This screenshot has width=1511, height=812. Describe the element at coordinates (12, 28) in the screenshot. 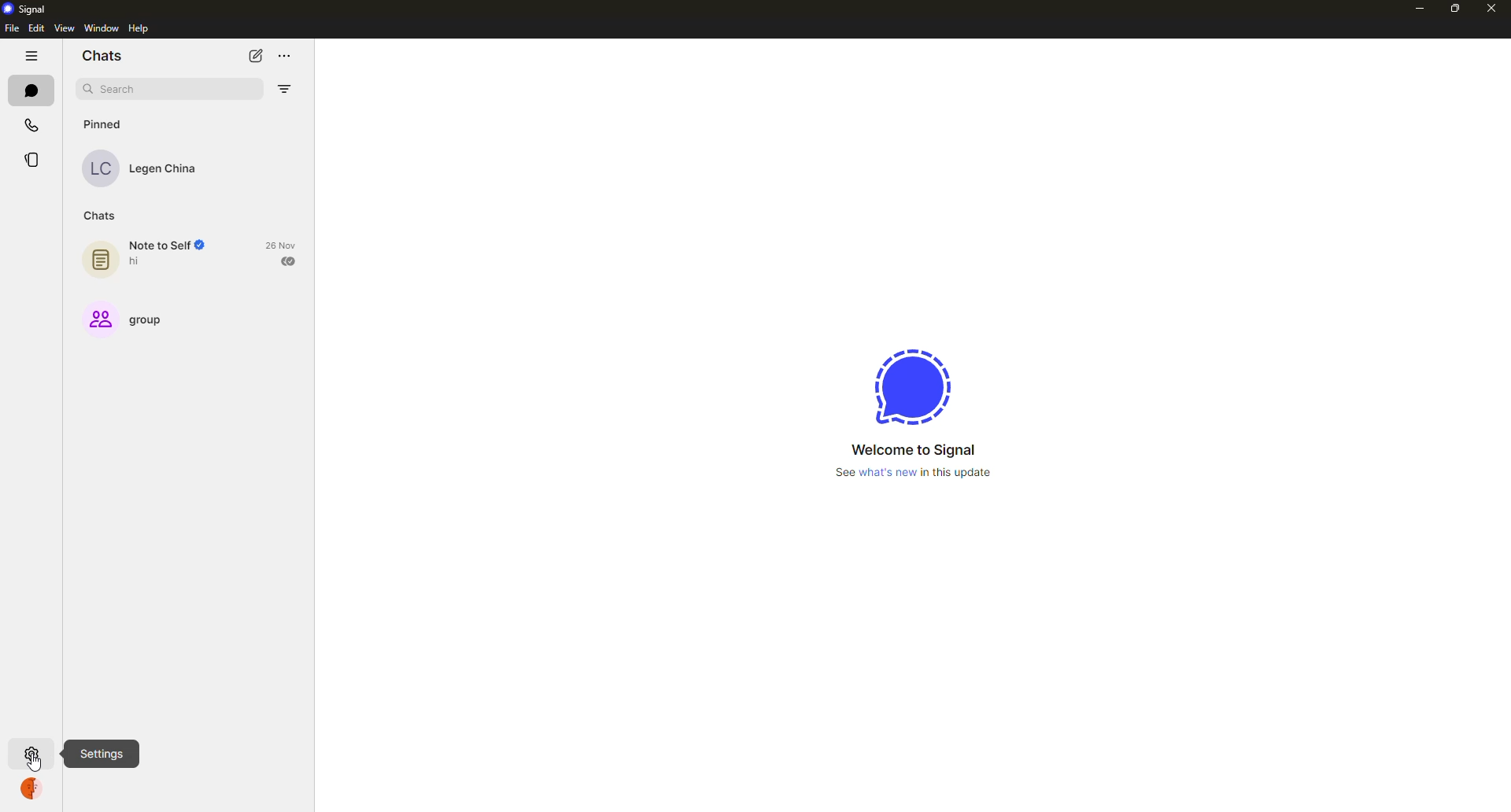

I see `file` at that location.